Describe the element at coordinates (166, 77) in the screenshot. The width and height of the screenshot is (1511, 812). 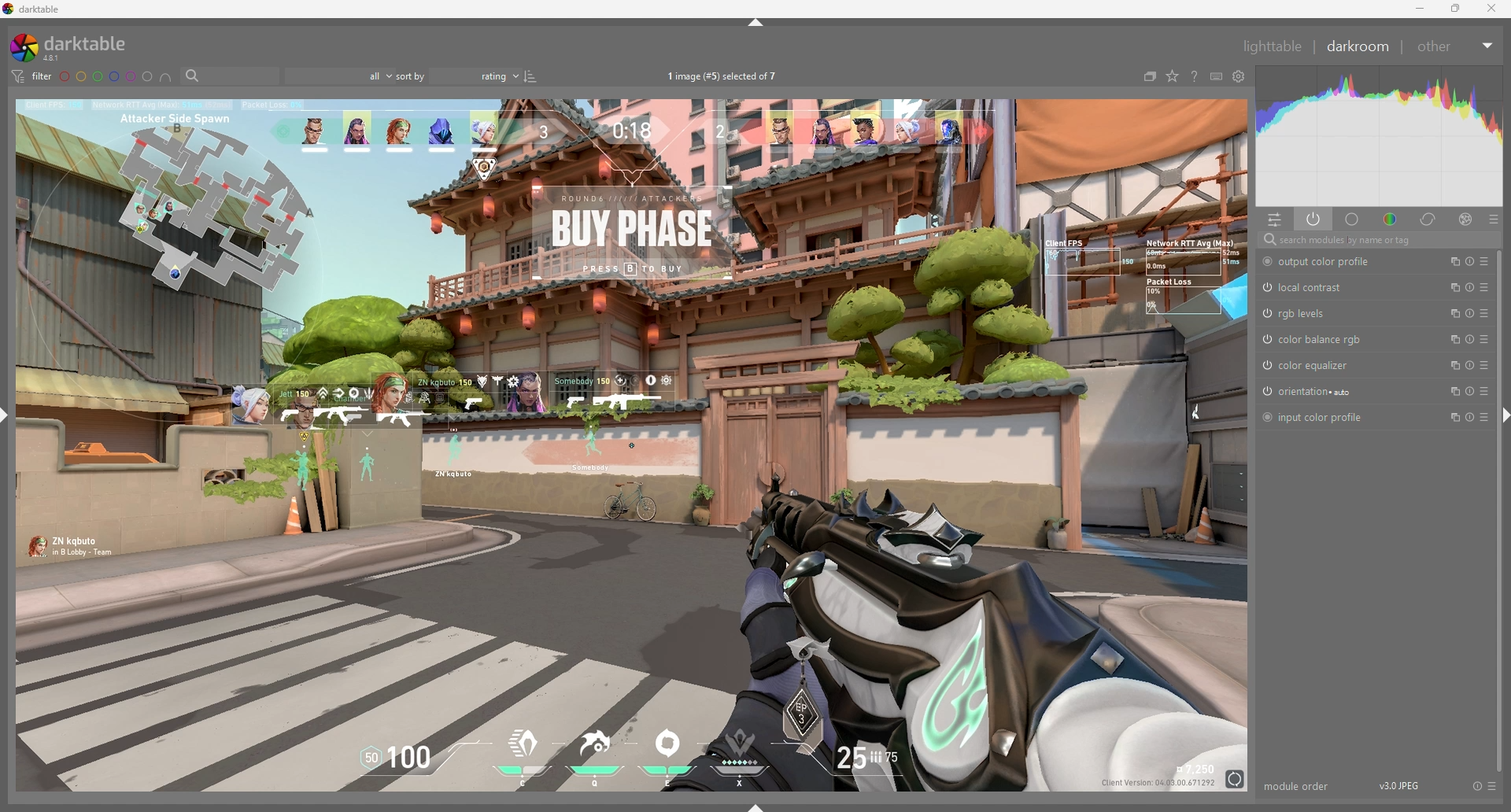
I see `include color label` at that location.